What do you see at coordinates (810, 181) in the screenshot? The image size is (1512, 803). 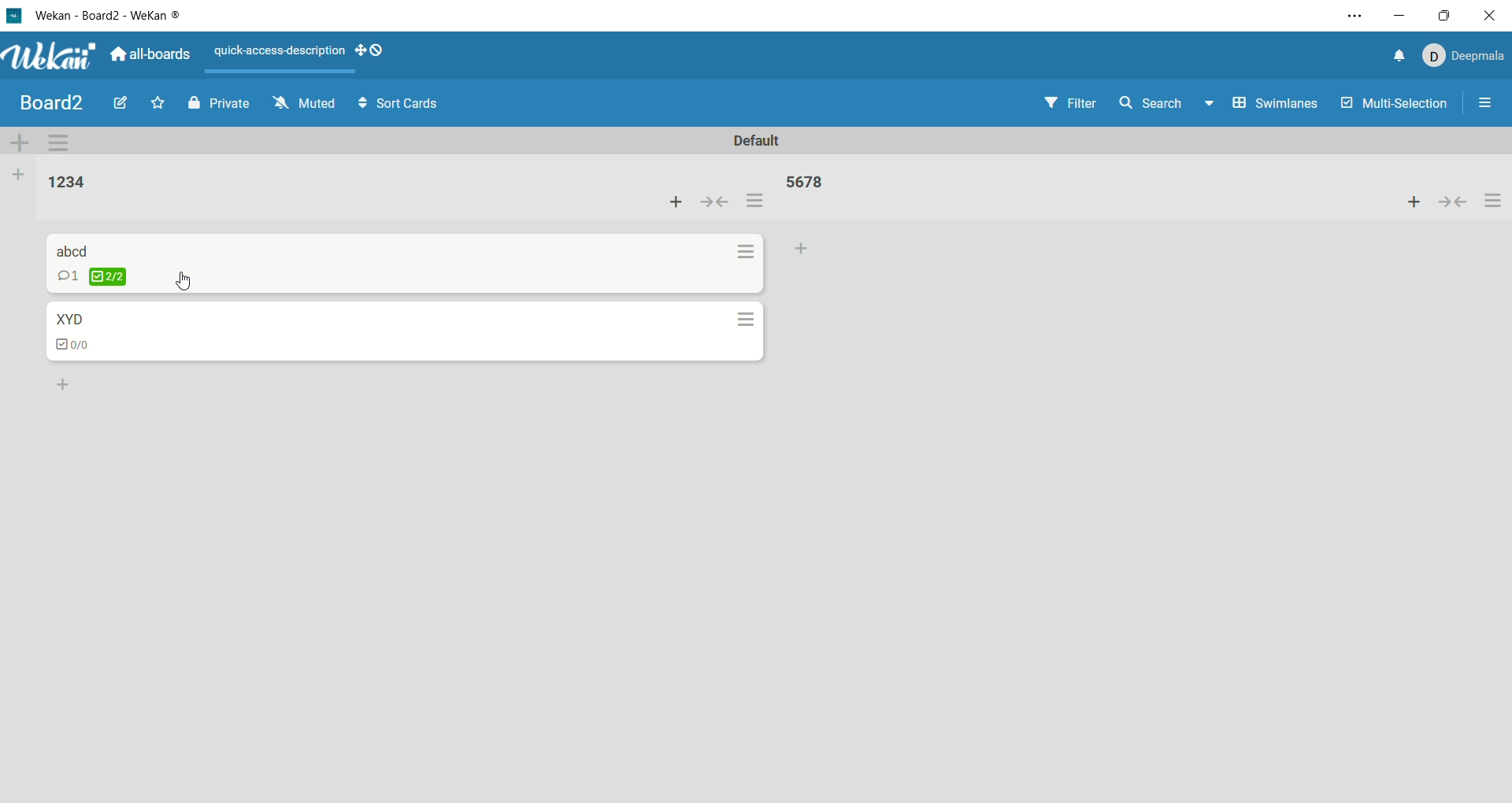 I see `list title` at bounding box center [810, 181].